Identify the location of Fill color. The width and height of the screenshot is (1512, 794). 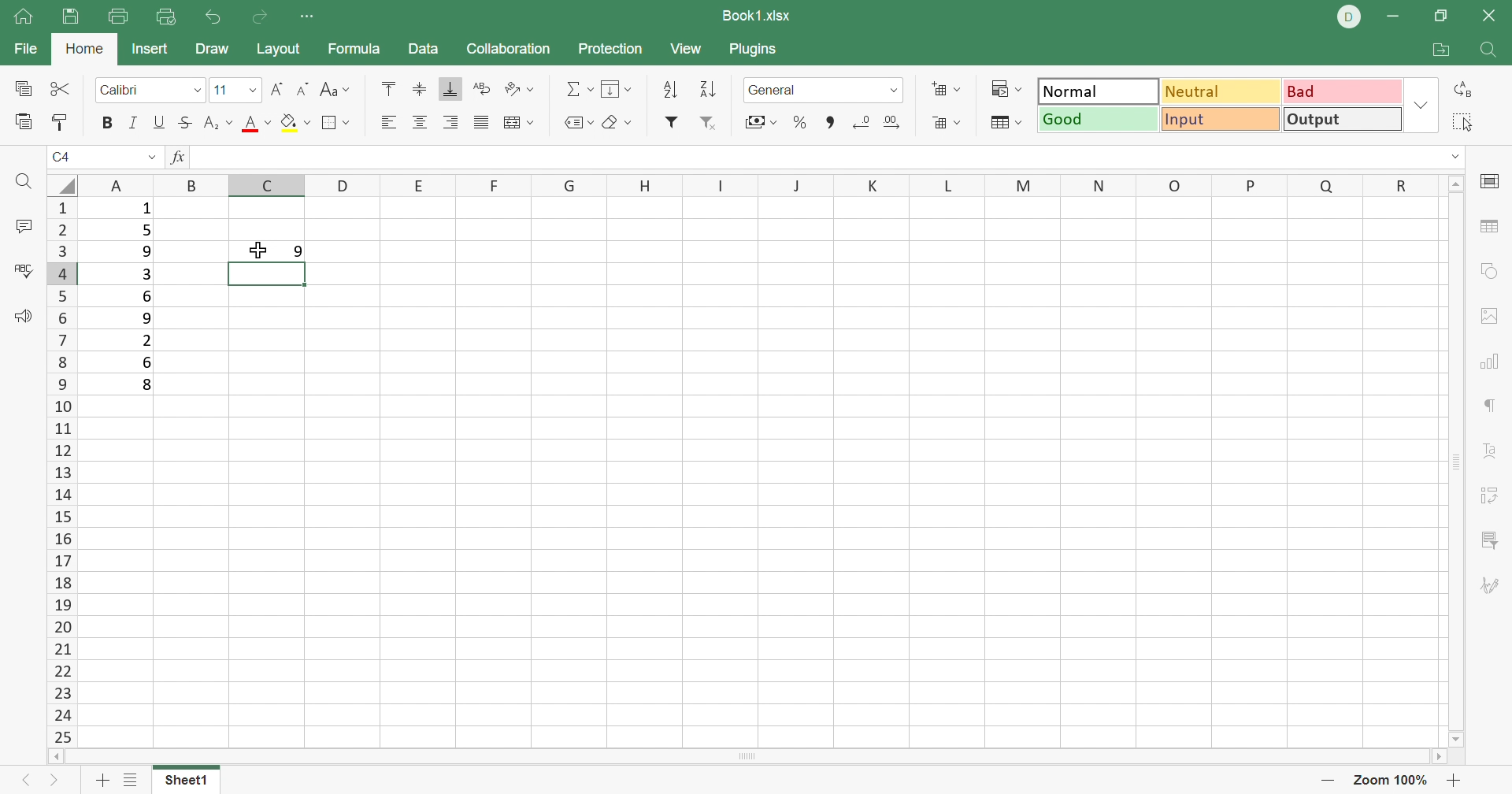
(295, 122).